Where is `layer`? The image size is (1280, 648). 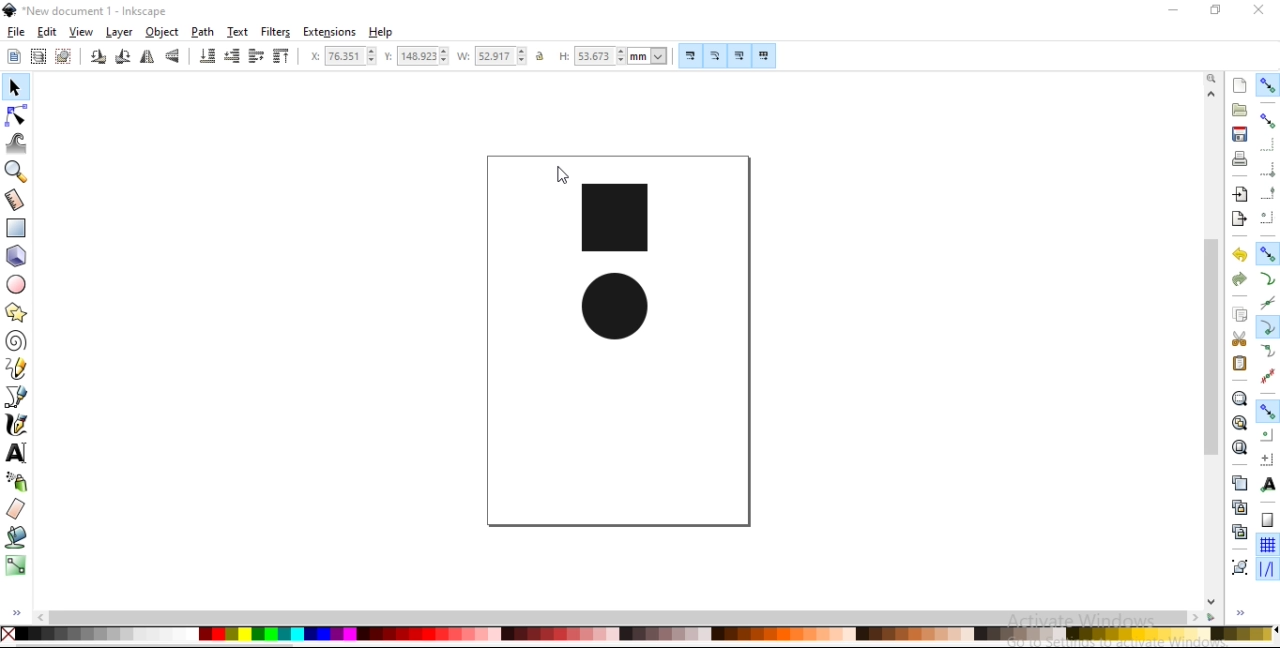
layer is located at coordinates (118, 33).